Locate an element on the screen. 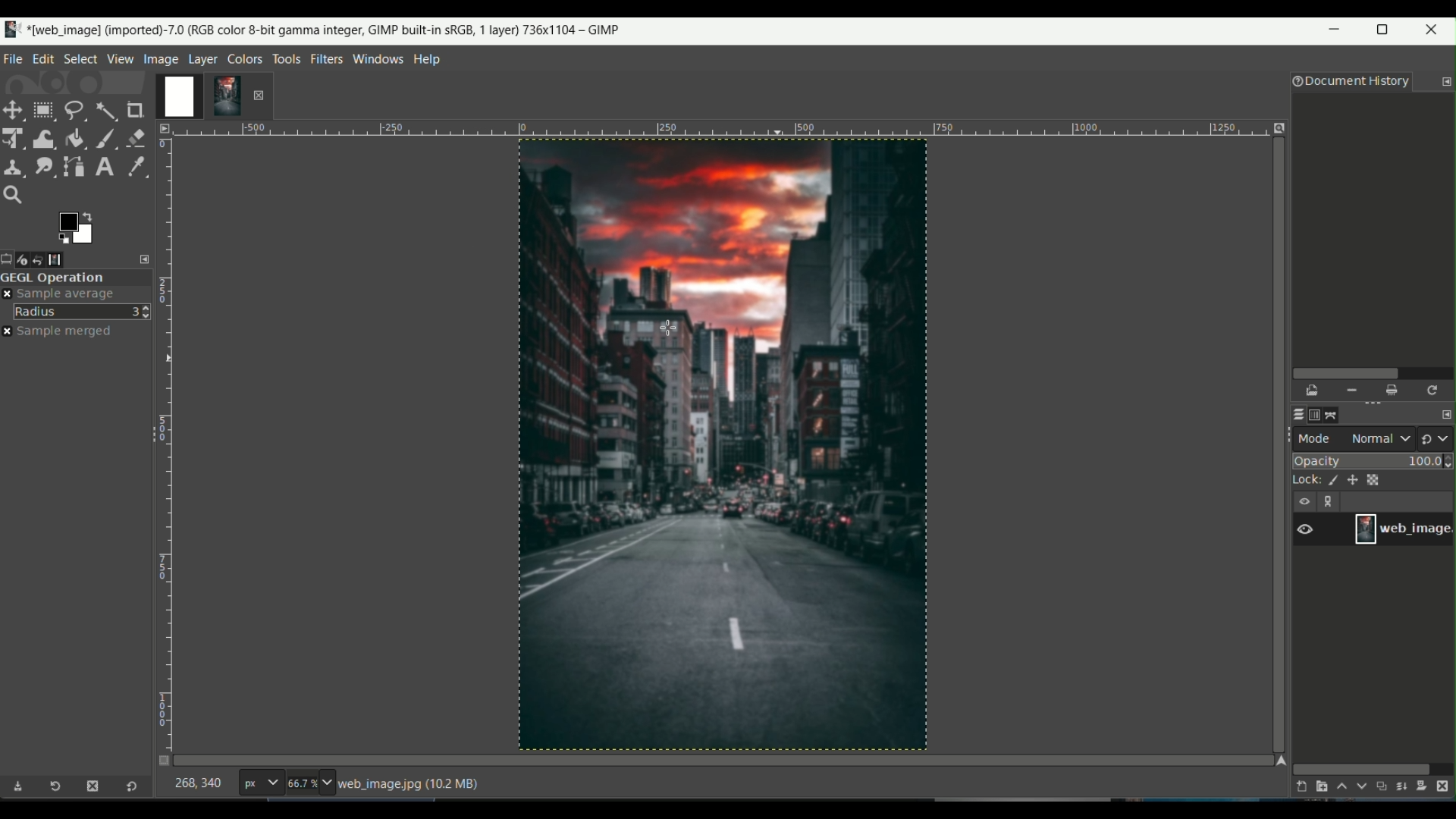 This screenshot has width=1456, height=819. zoom tool is located at coordinates (17, 196).